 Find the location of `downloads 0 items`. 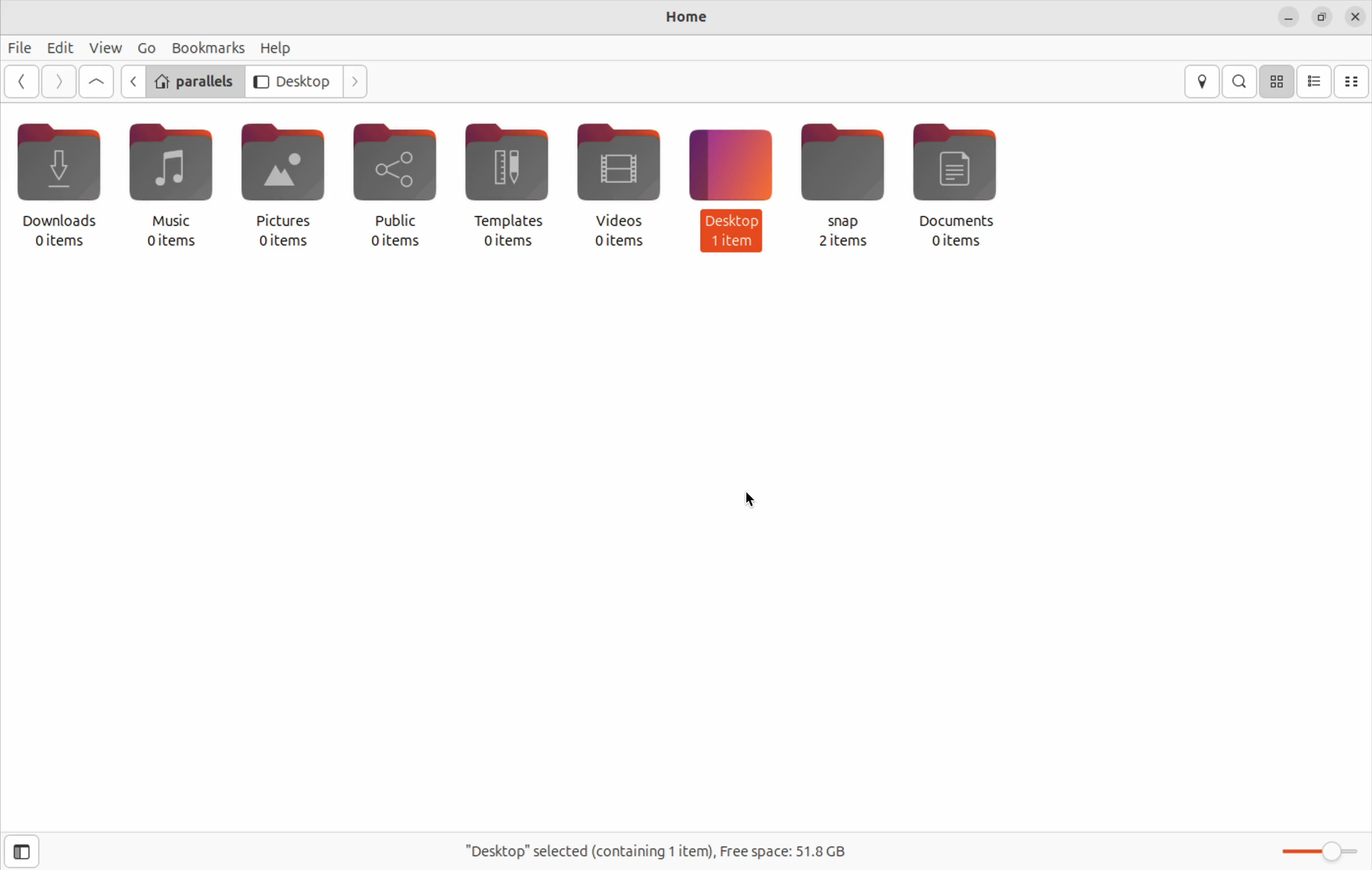

downloads 0 items is located at coordinates (66, 187).